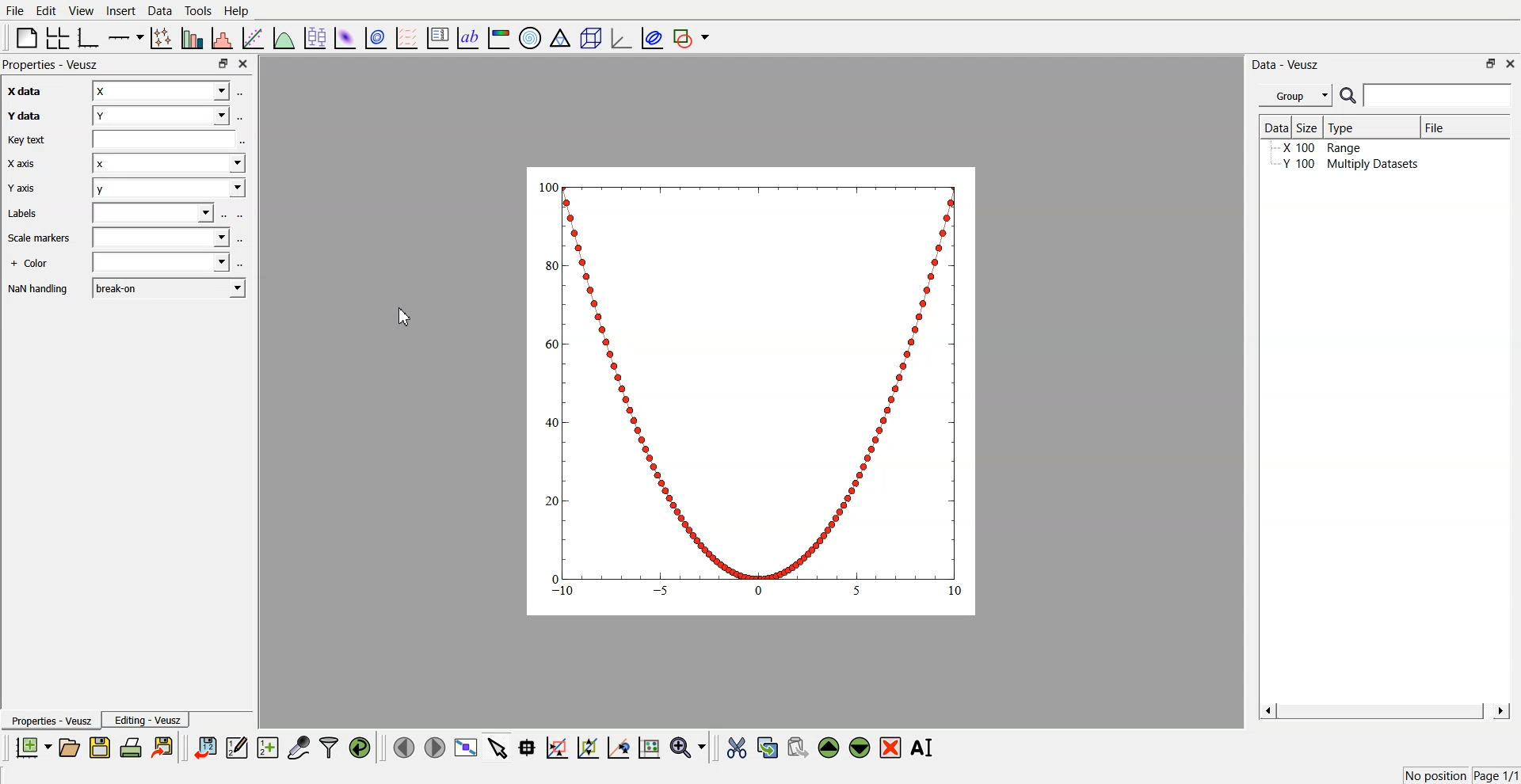 Image resolution: width=1521 pixels, height=784 pixels. Describe the element at coordinates (404, 747) in the screenshot. I see `move left` at that location.